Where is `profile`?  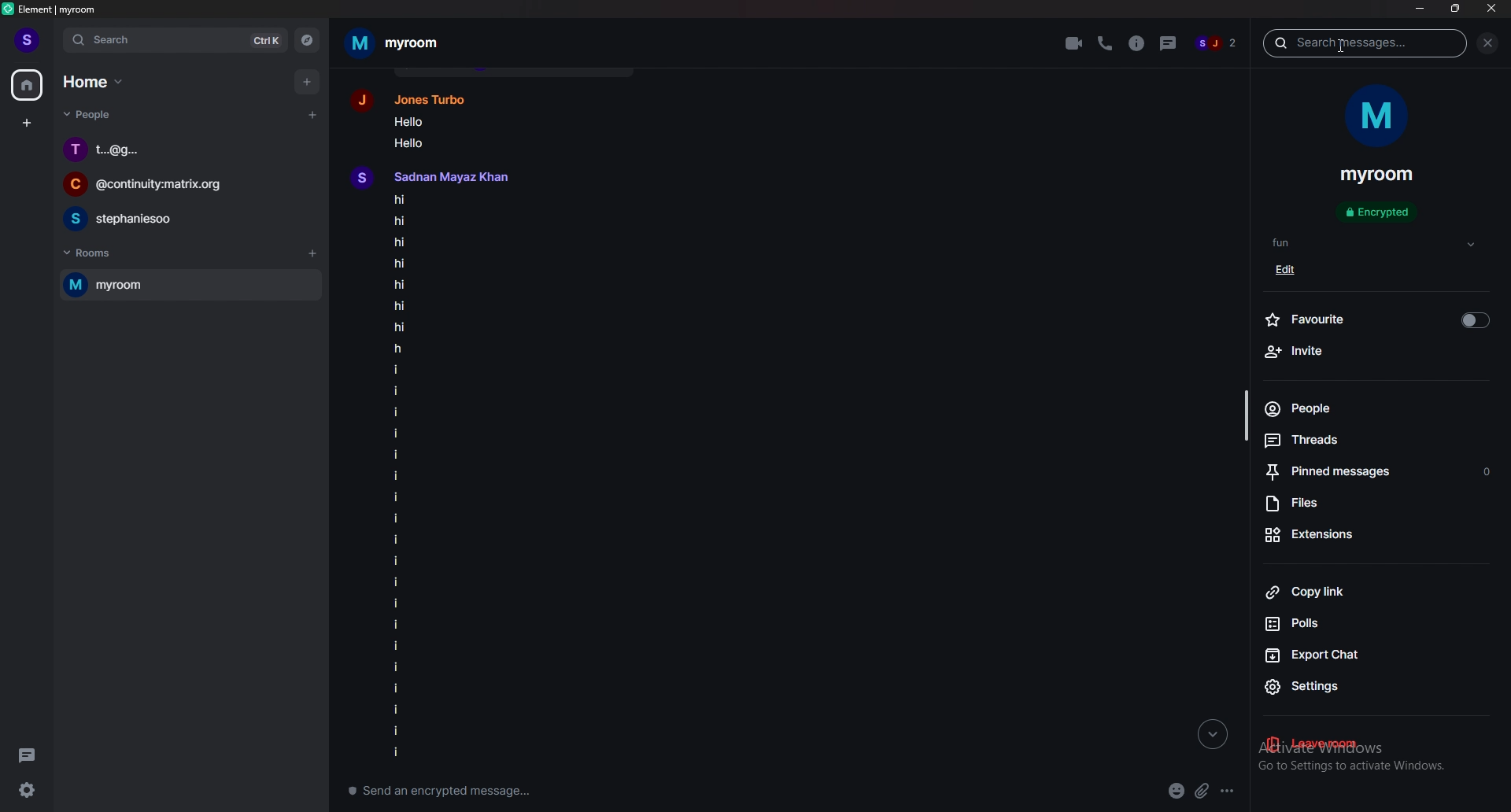
profile is located at coordinates (29, 39).